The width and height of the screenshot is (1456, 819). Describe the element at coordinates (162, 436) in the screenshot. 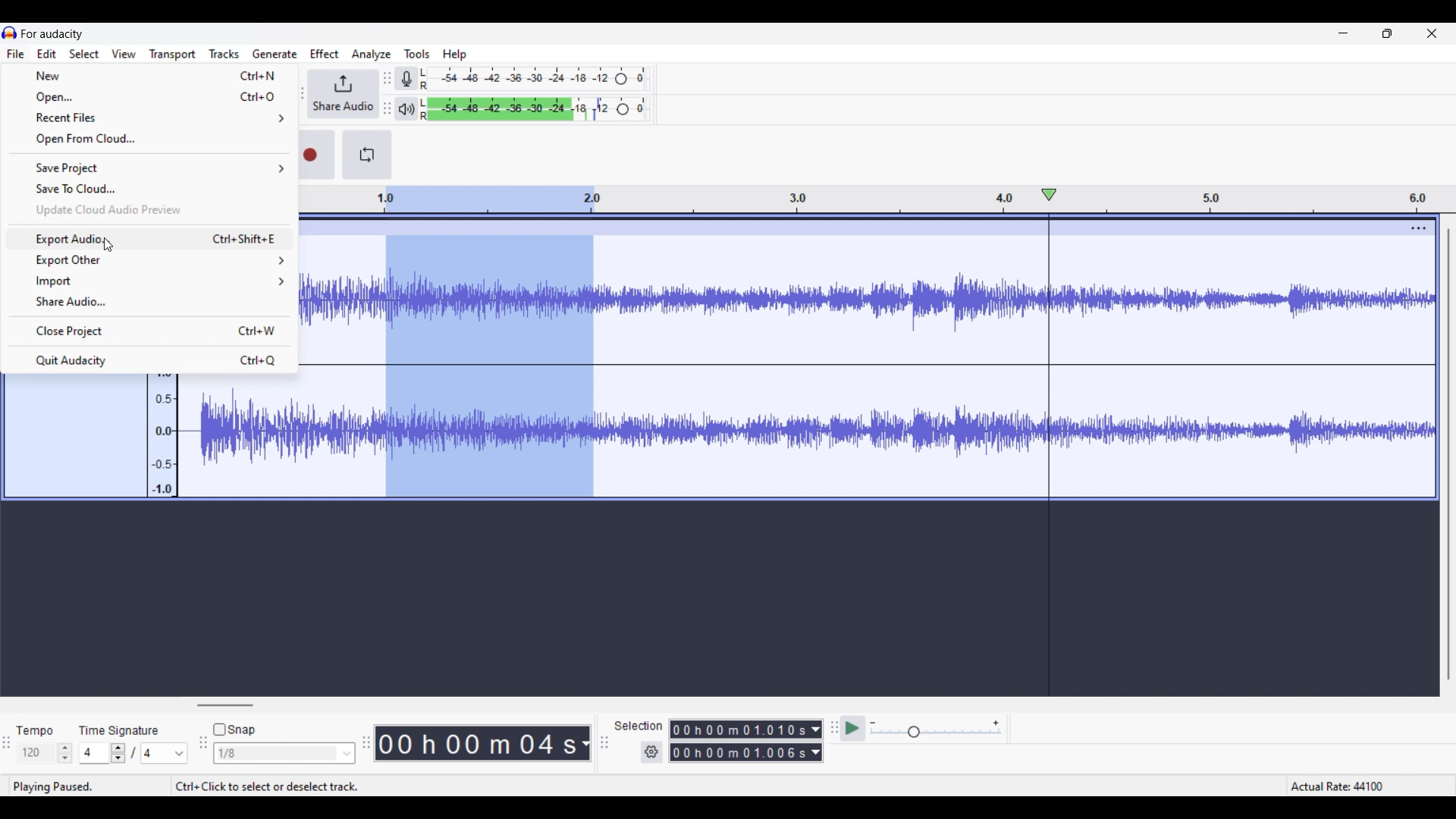

I see `Scale to measure intenssity of sound` at that location.